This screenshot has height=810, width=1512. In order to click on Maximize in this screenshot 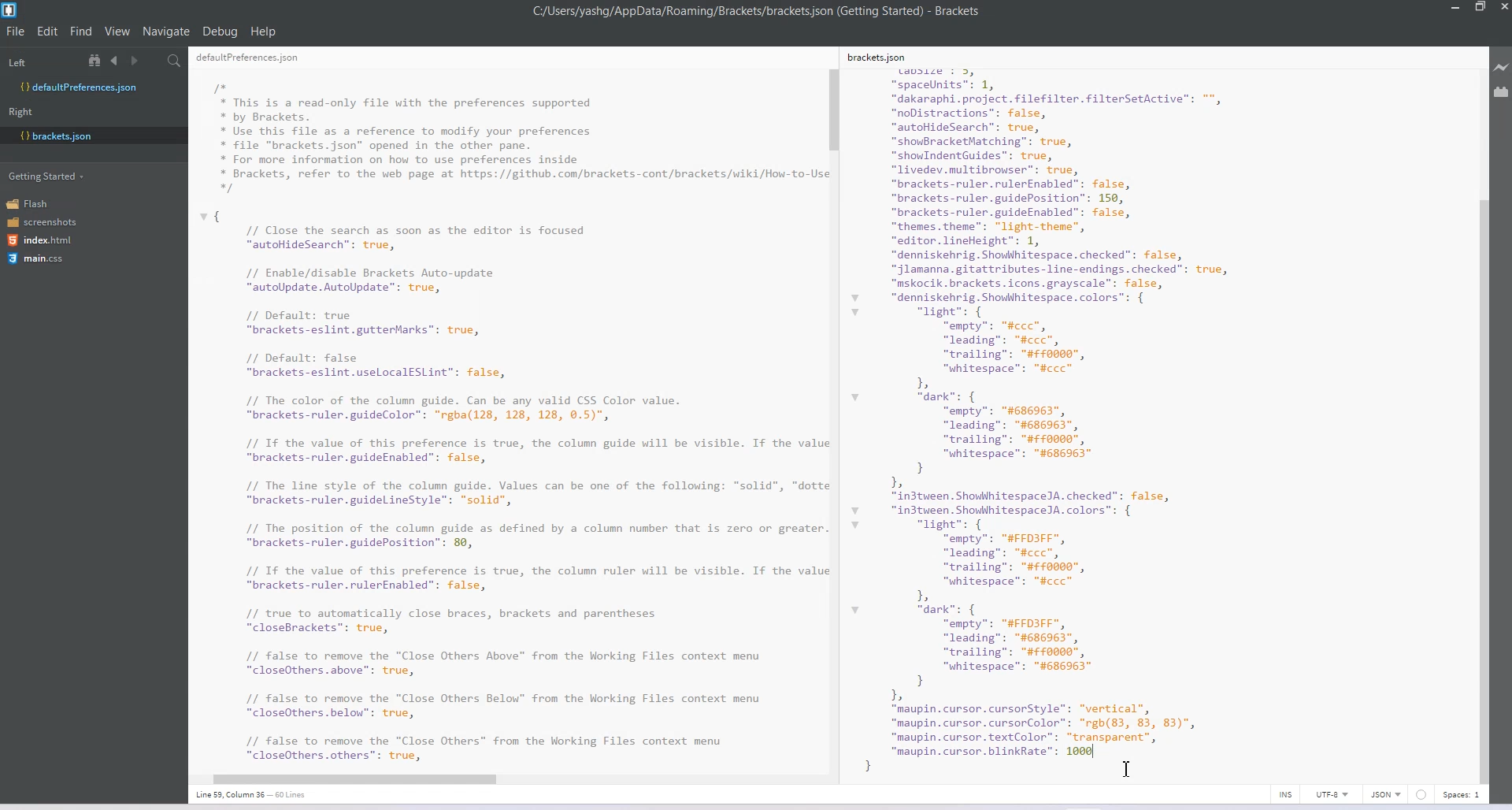, I will do `click(1480, 8)`.